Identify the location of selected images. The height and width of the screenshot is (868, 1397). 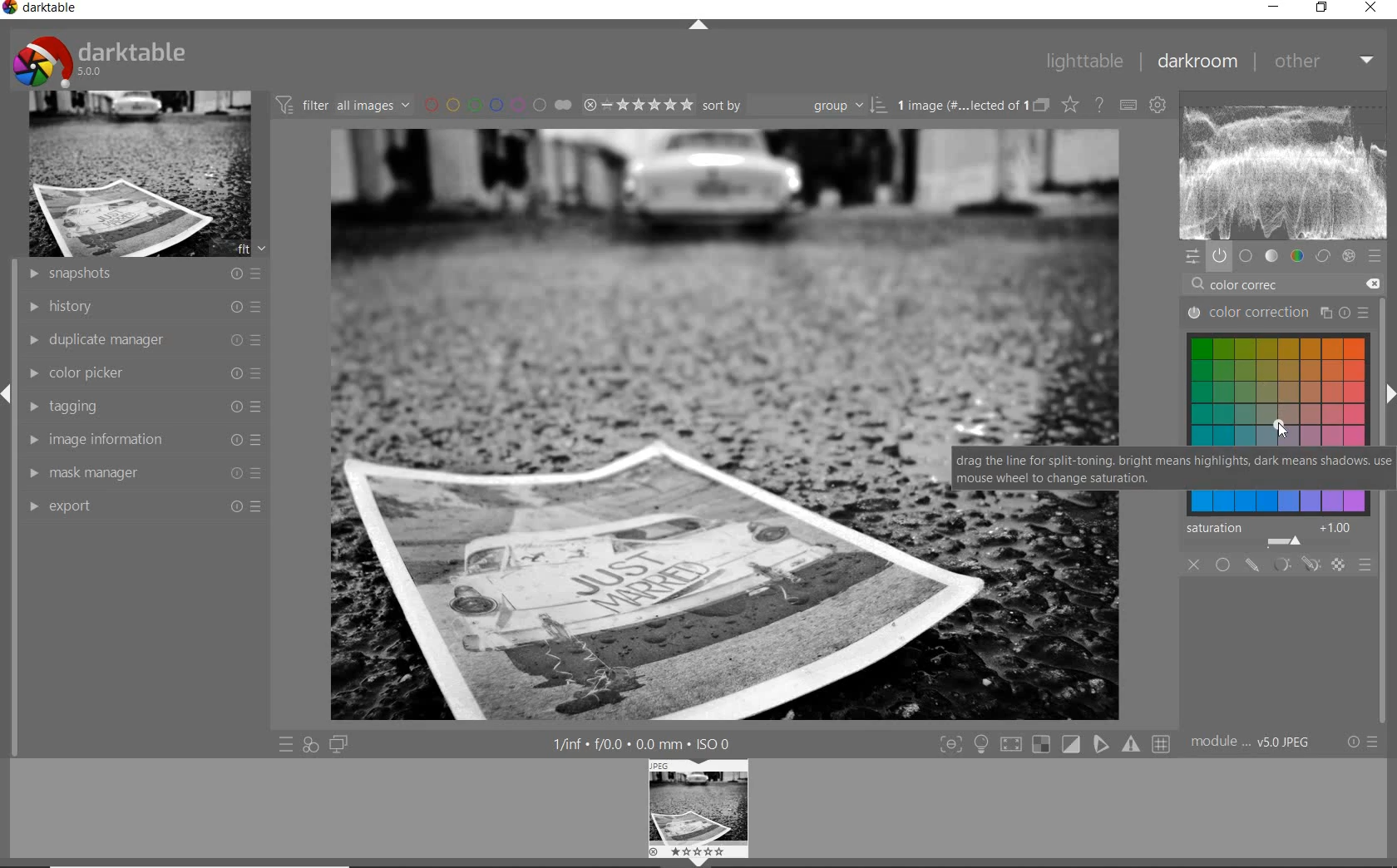
(962, 106).